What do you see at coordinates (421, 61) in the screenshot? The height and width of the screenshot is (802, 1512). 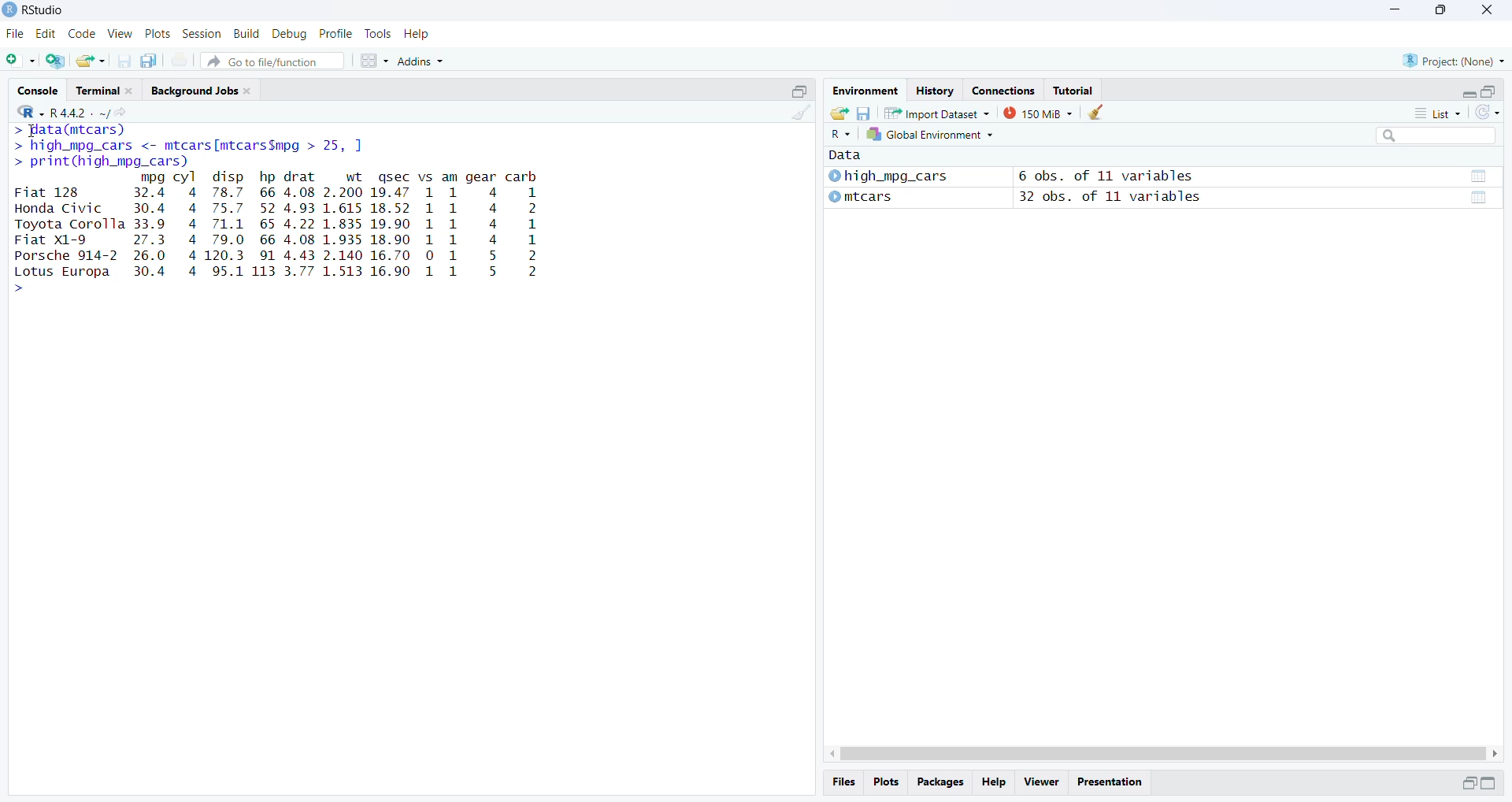 I see `Addins` at bounding box center [421, 61].